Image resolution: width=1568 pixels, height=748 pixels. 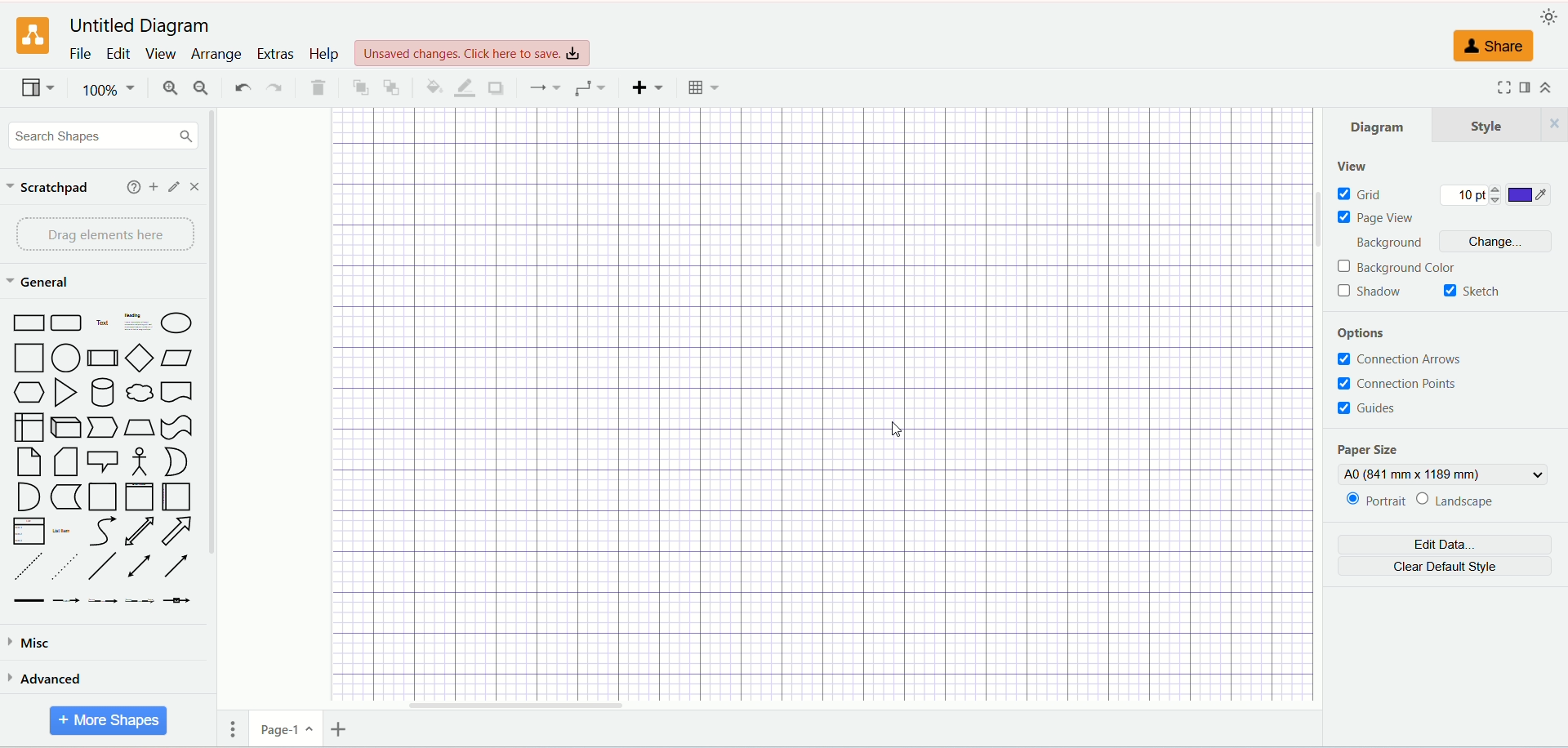 What do you see at coordinates (103, 135) in the screenshot?
I see `search shapes` at bounding box center [103, 135].